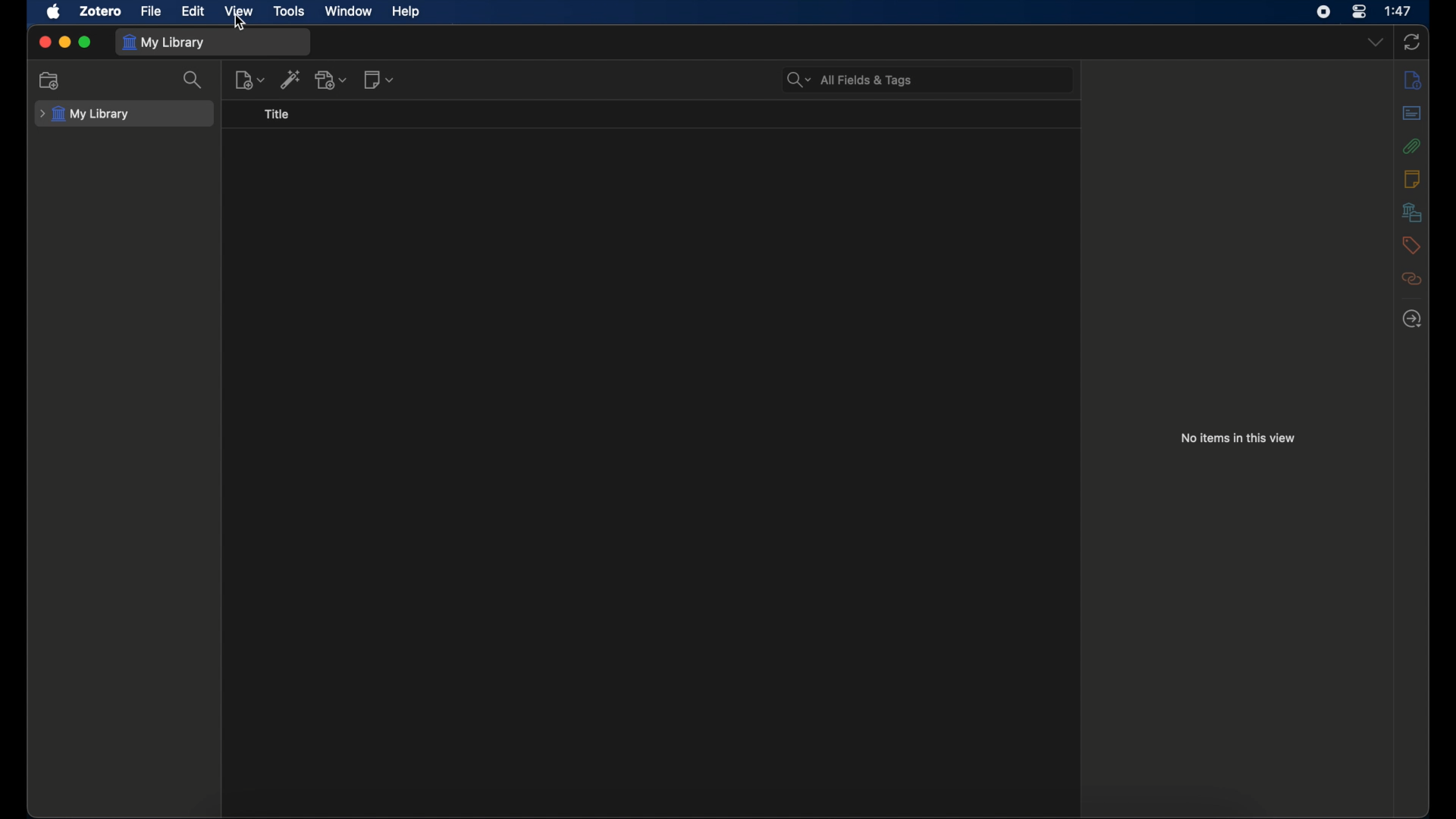 The image size is (1456, 819). Describe the element at coordinates (291, 79) in the screenshot. I see `add item by identifier` at that location.